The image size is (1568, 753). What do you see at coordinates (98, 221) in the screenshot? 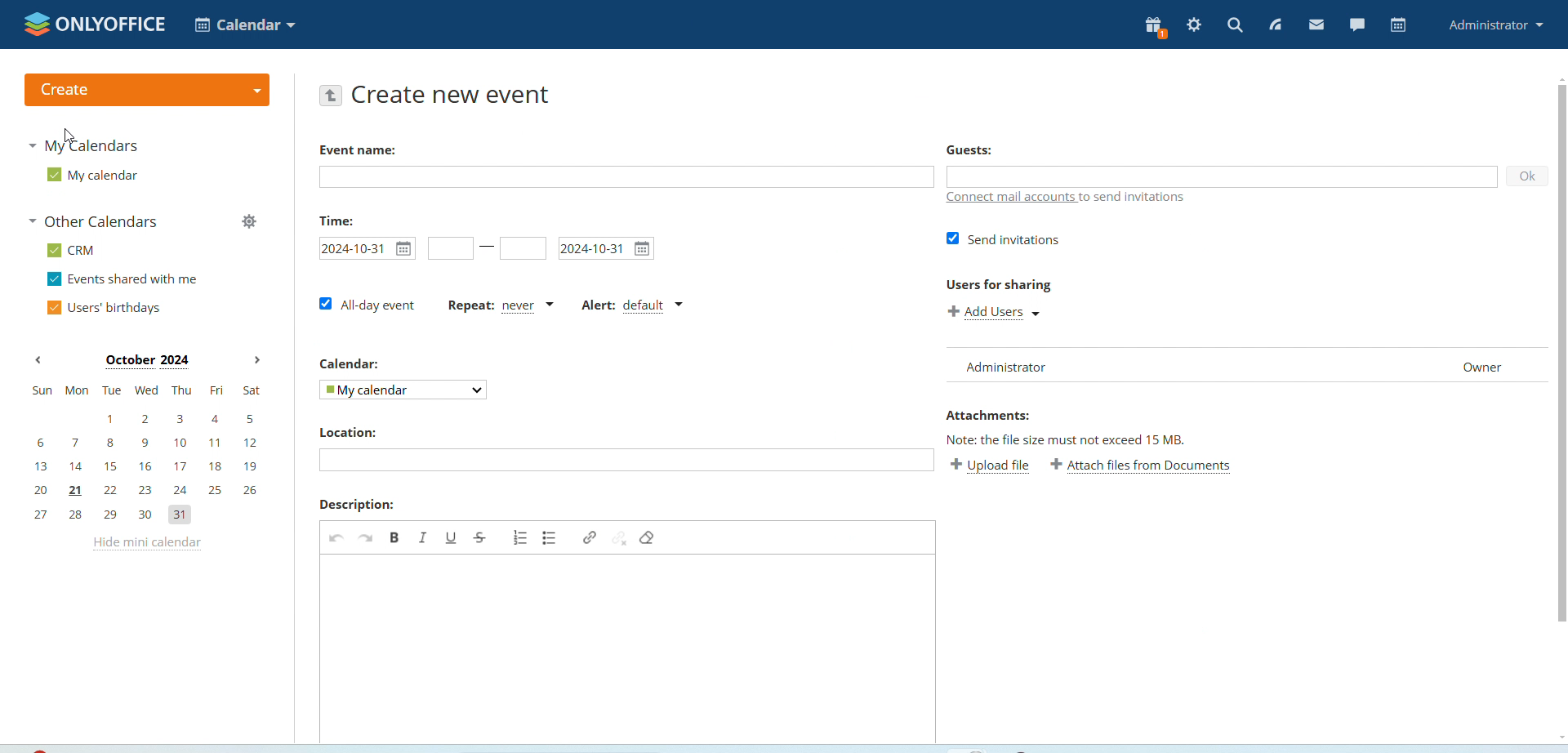
I see `other calendars` at bounding box center [98, 221].